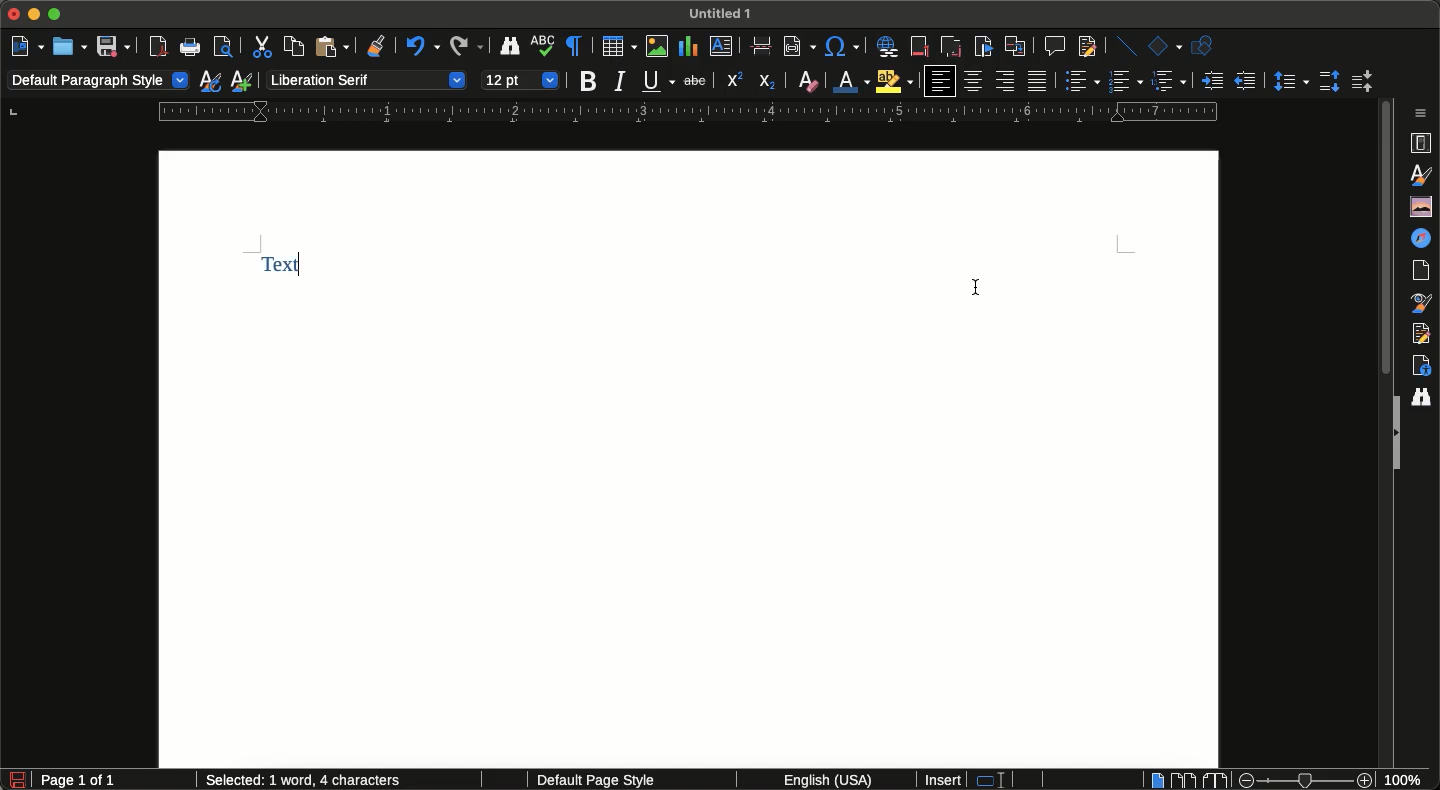 Image resolution: width=1440 pixels, height=790 pixels. I want to click on Undo, so click(420, 49).